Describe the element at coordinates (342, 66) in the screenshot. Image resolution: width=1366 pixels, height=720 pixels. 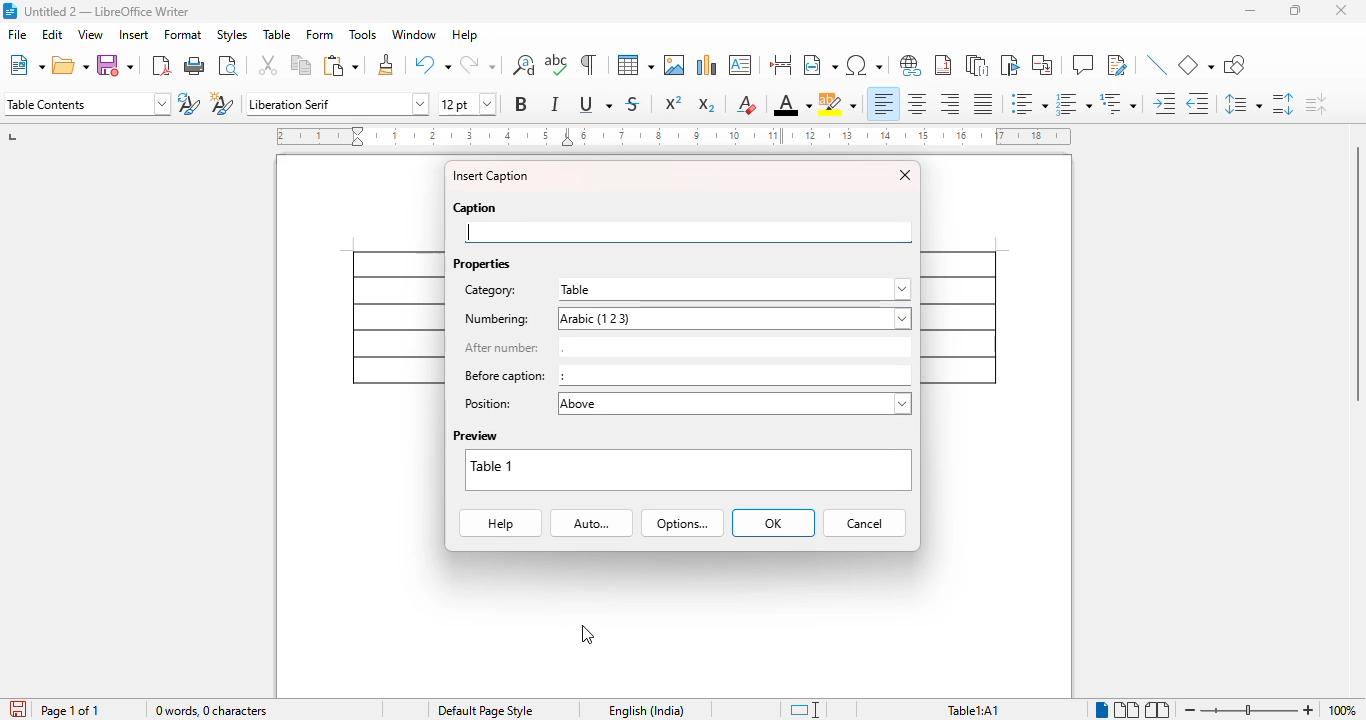
I see `paste` at that location.